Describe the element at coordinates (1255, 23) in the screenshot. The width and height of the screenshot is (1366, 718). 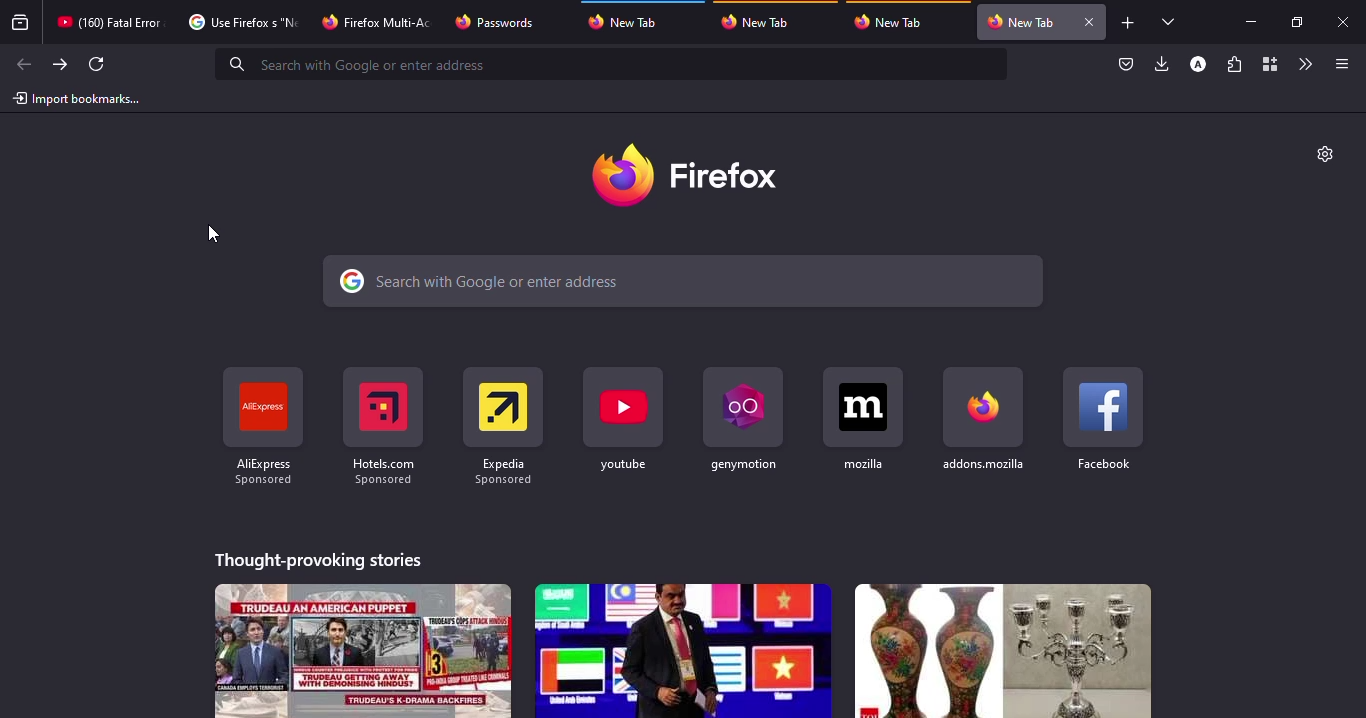
I see `minimize` at that location.